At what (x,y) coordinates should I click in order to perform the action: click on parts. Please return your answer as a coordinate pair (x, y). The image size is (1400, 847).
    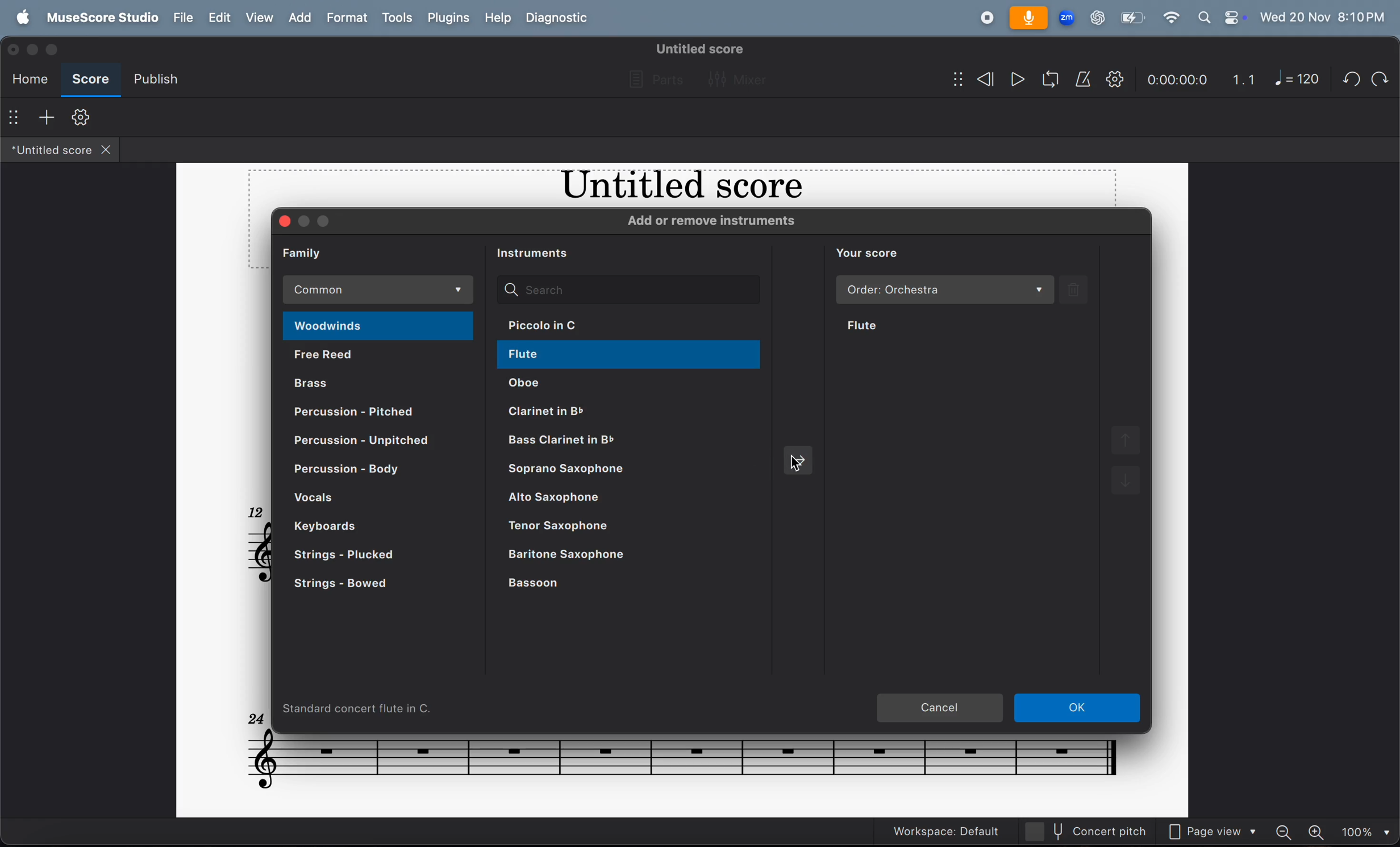
    Looking at the image, I should click on (652, 77).